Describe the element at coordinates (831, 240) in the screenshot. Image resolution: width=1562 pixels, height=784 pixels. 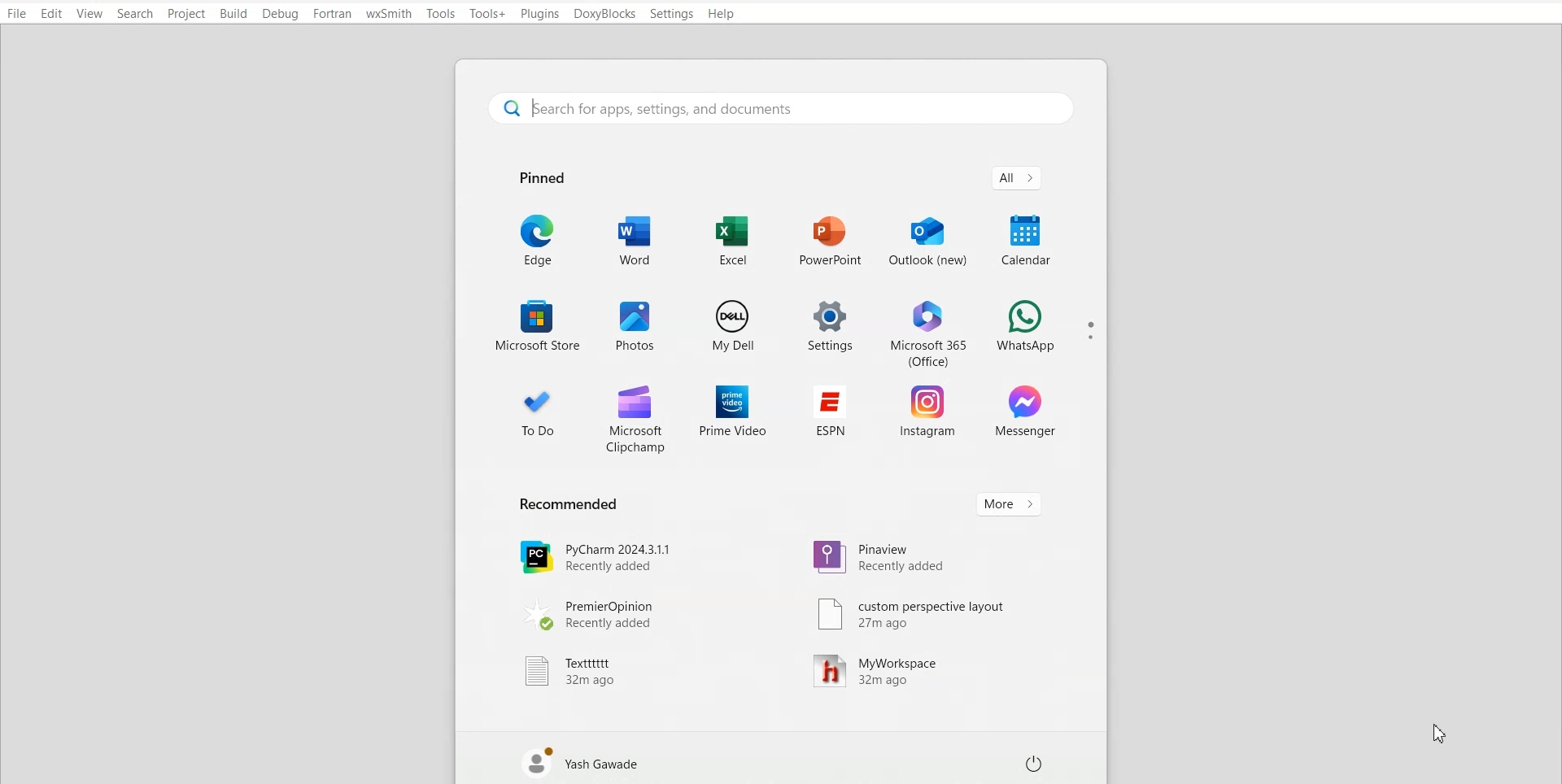
I see `PowerPoint` at that location.